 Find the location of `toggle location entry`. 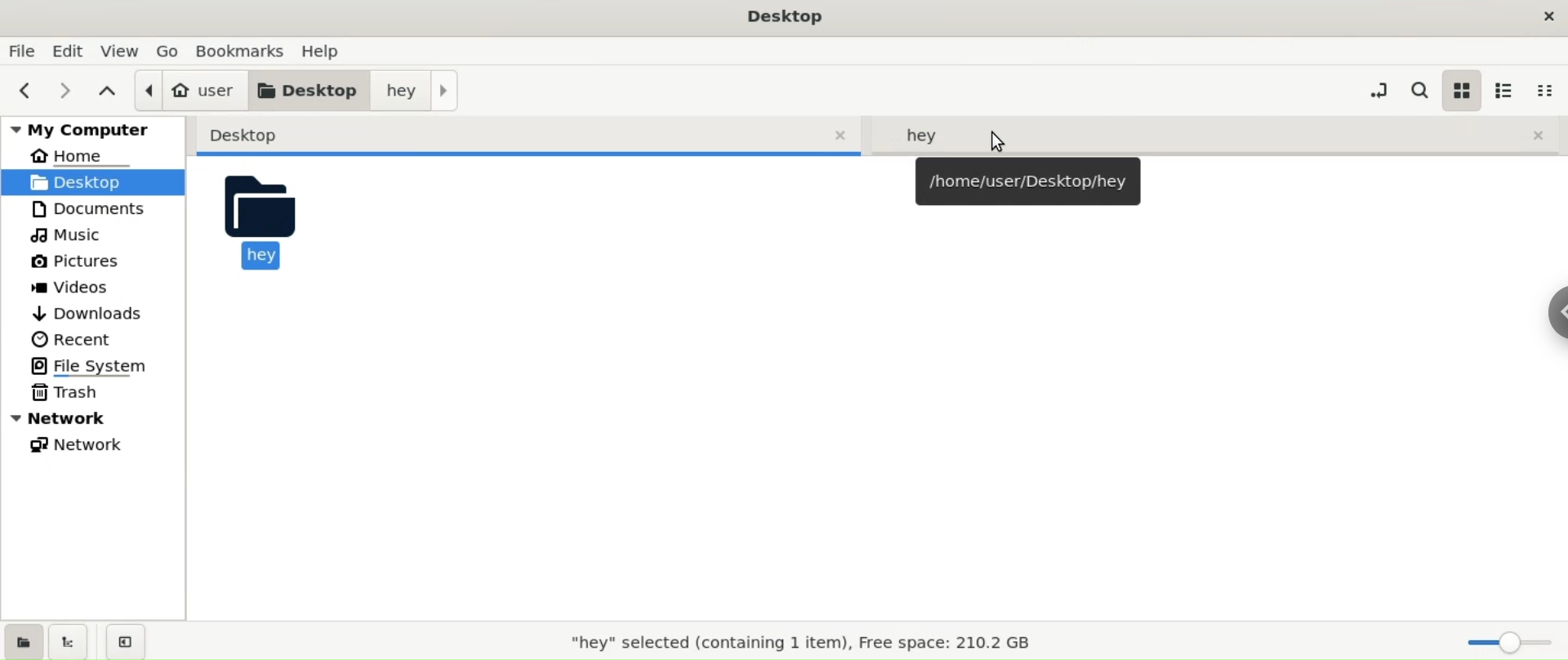

toggle location entry is located at coordinates (1375, 90).